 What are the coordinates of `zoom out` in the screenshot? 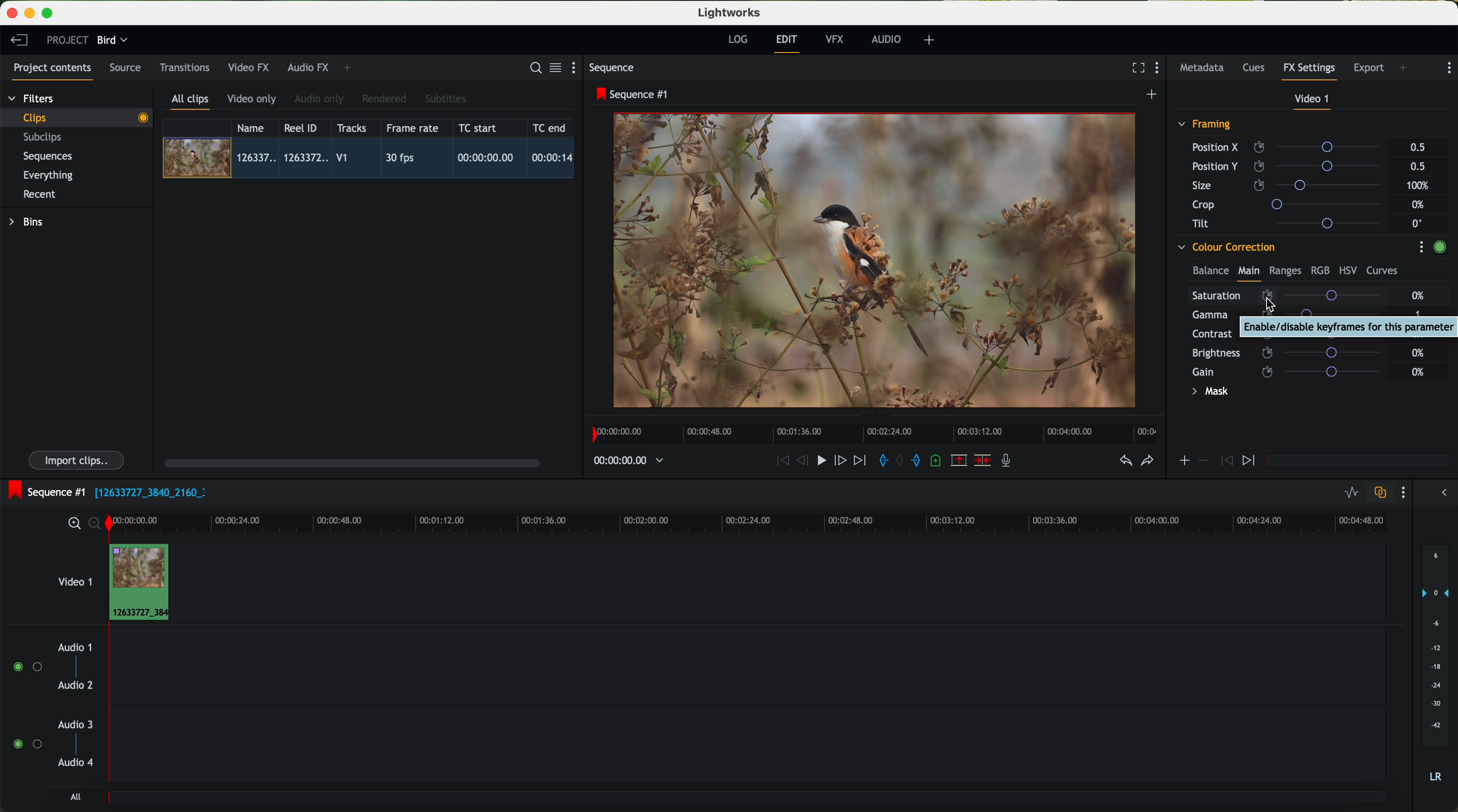 It's located at (96, 525).